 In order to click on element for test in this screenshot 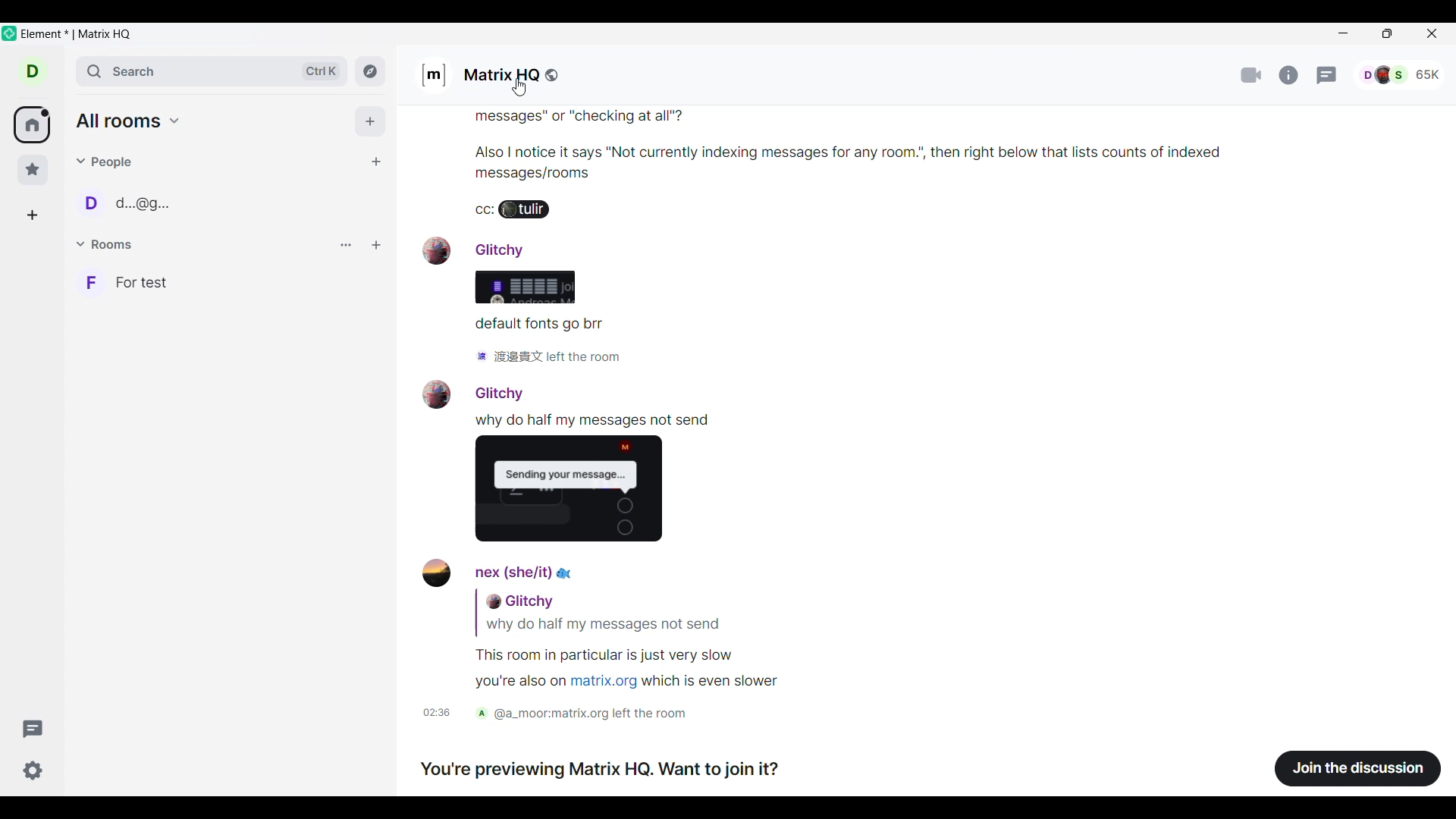, I will do `click(78, 35)`.